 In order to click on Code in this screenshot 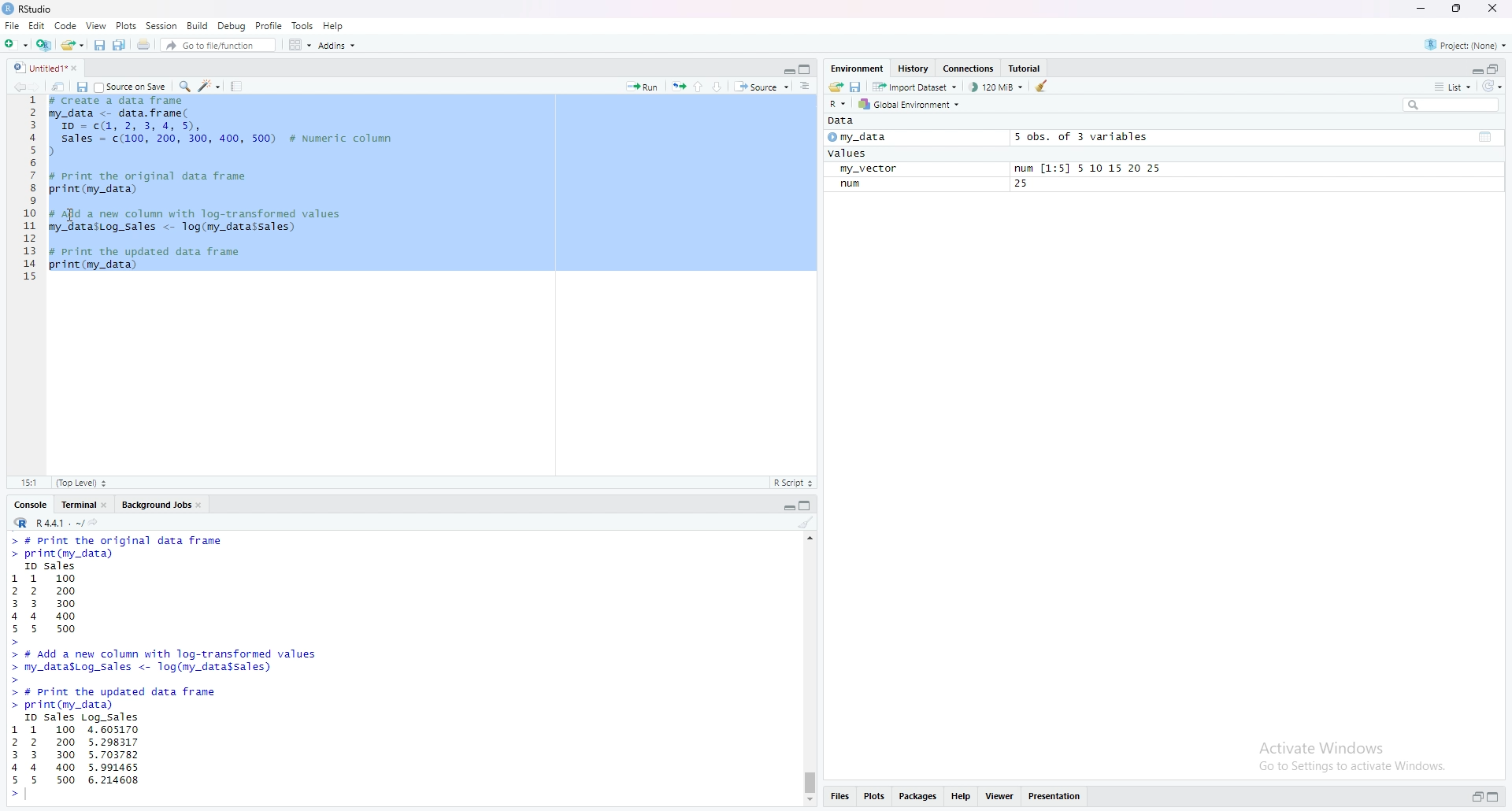, I will do `click(66, 27)`.